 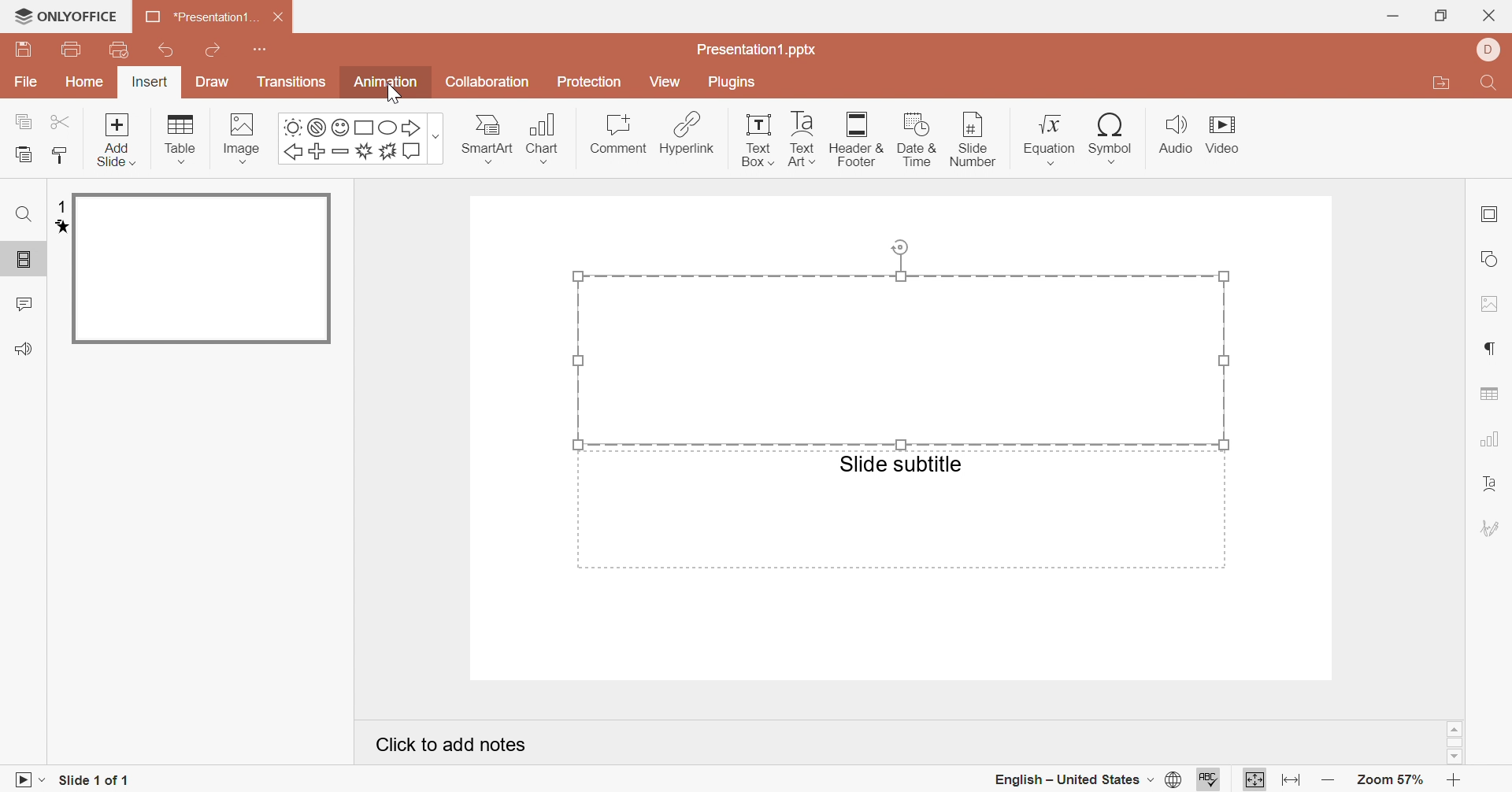 I want to click on symbol, so click(x=1113, y=139).